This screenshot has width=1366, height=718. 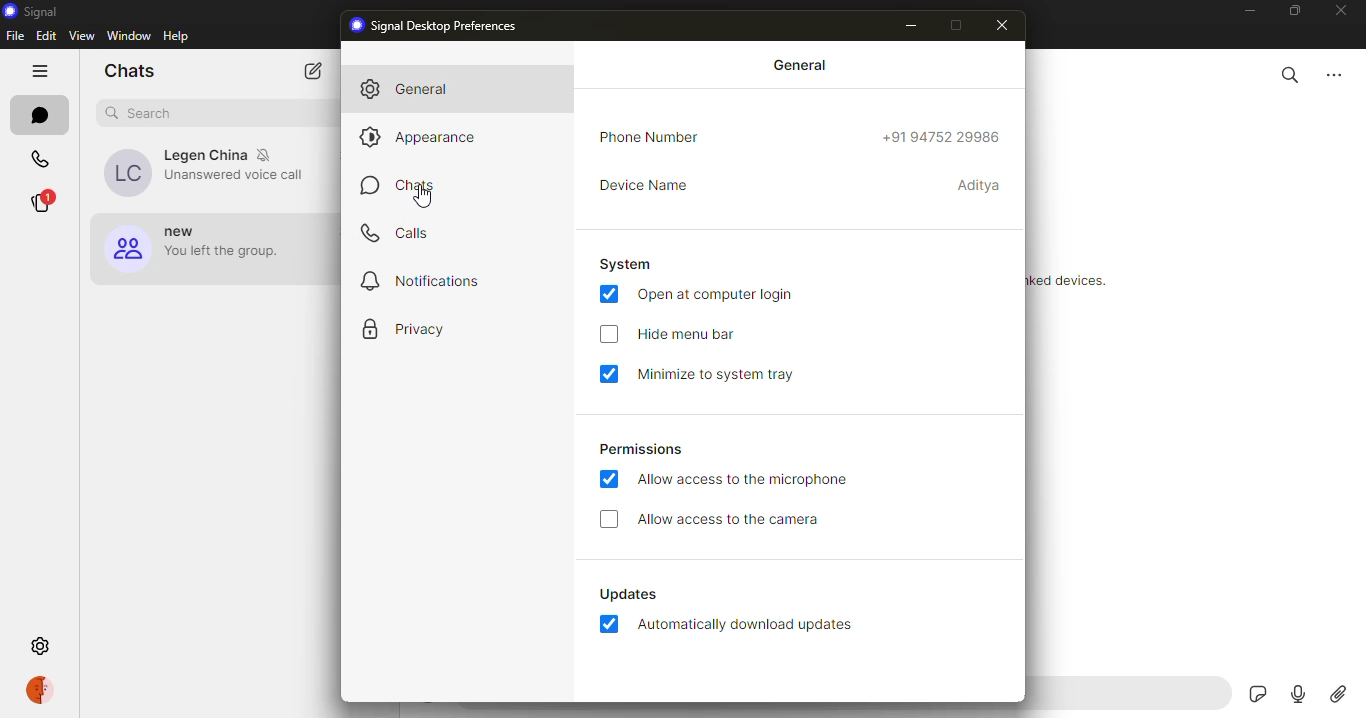 I want to click on window, so click(x=127, y=35).